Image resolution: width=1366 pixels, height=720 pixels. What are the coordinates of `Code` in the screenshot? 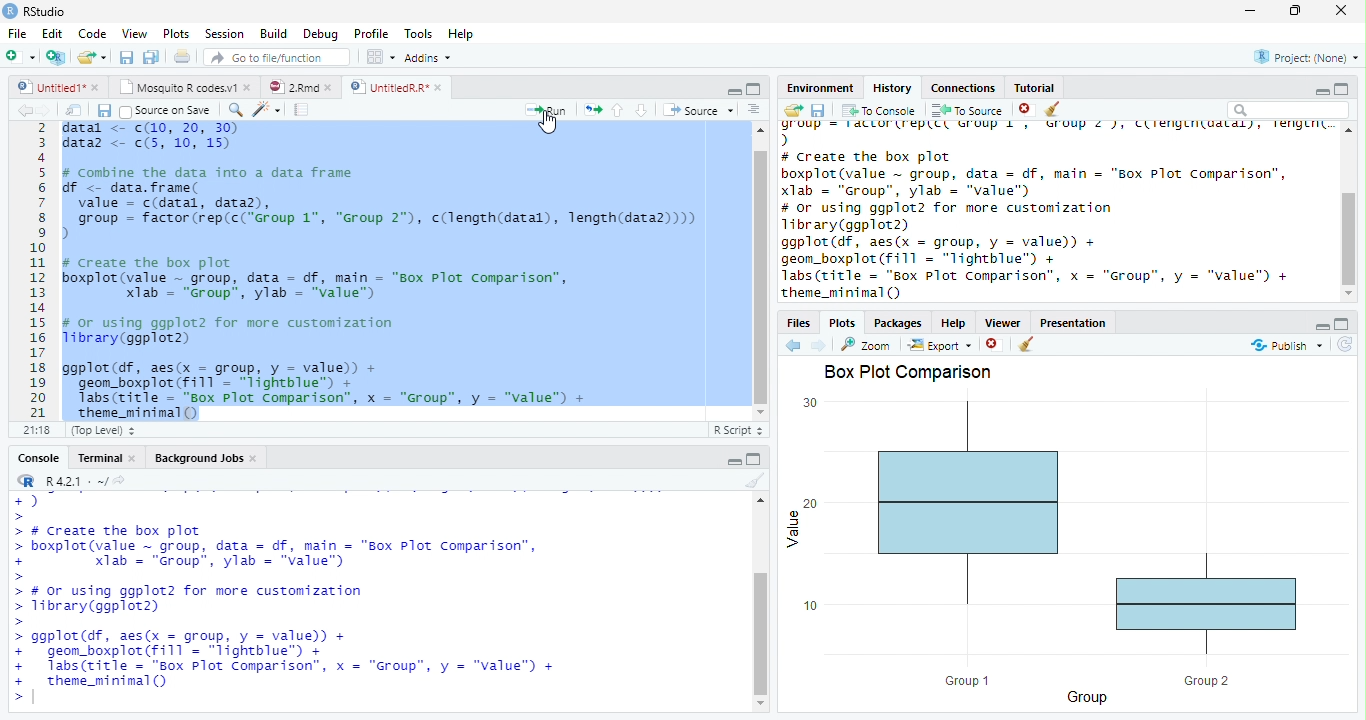 It's located at (91, 34).